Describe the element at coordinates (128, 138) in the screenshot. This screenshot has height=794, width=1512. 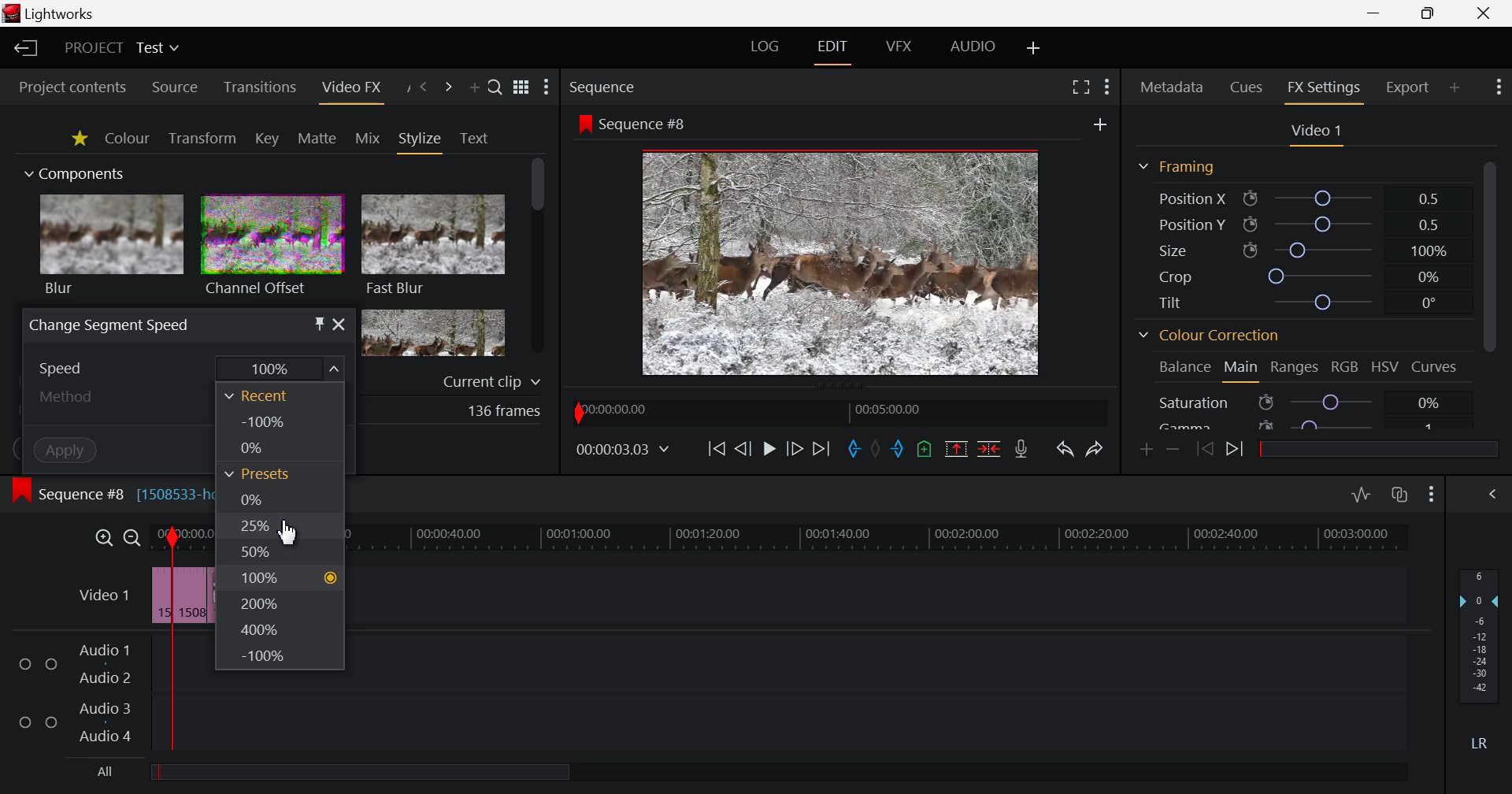
I see `Colour` at that location.